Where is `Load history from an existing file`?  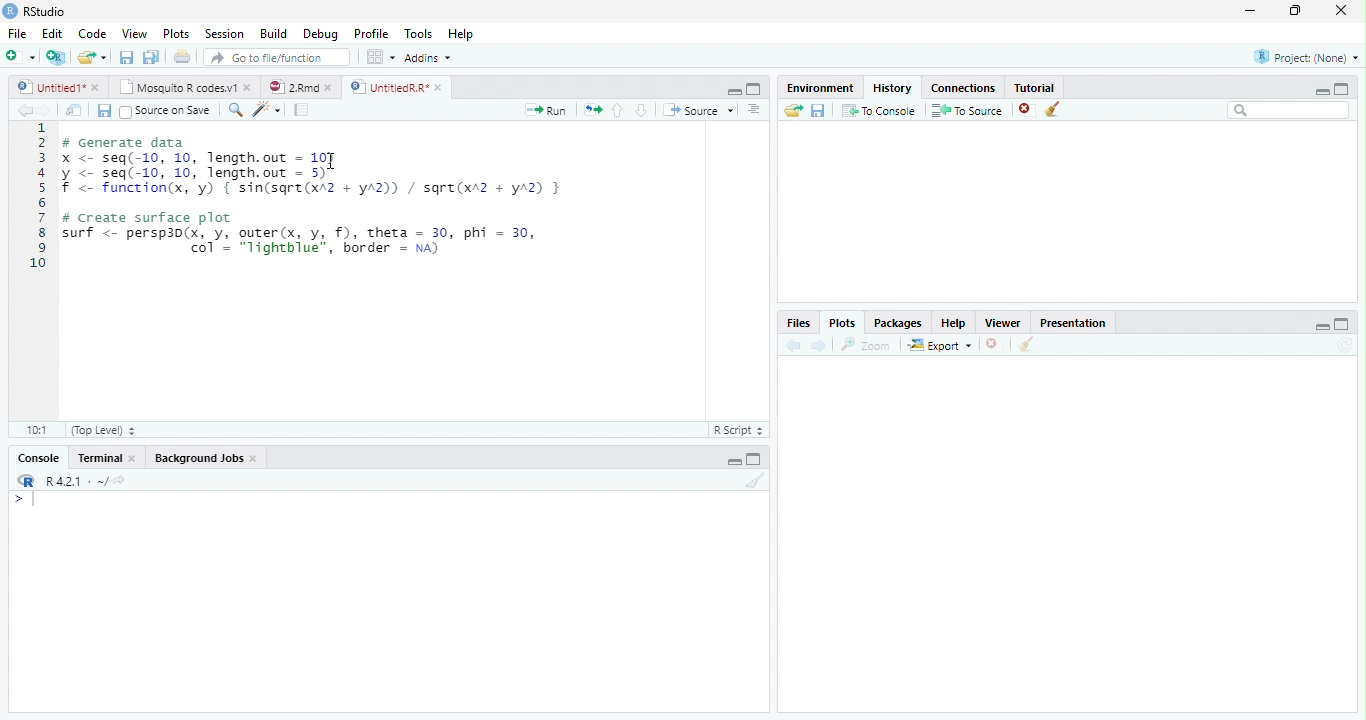
Load history from an existing file is located at coordinates (792, 111).